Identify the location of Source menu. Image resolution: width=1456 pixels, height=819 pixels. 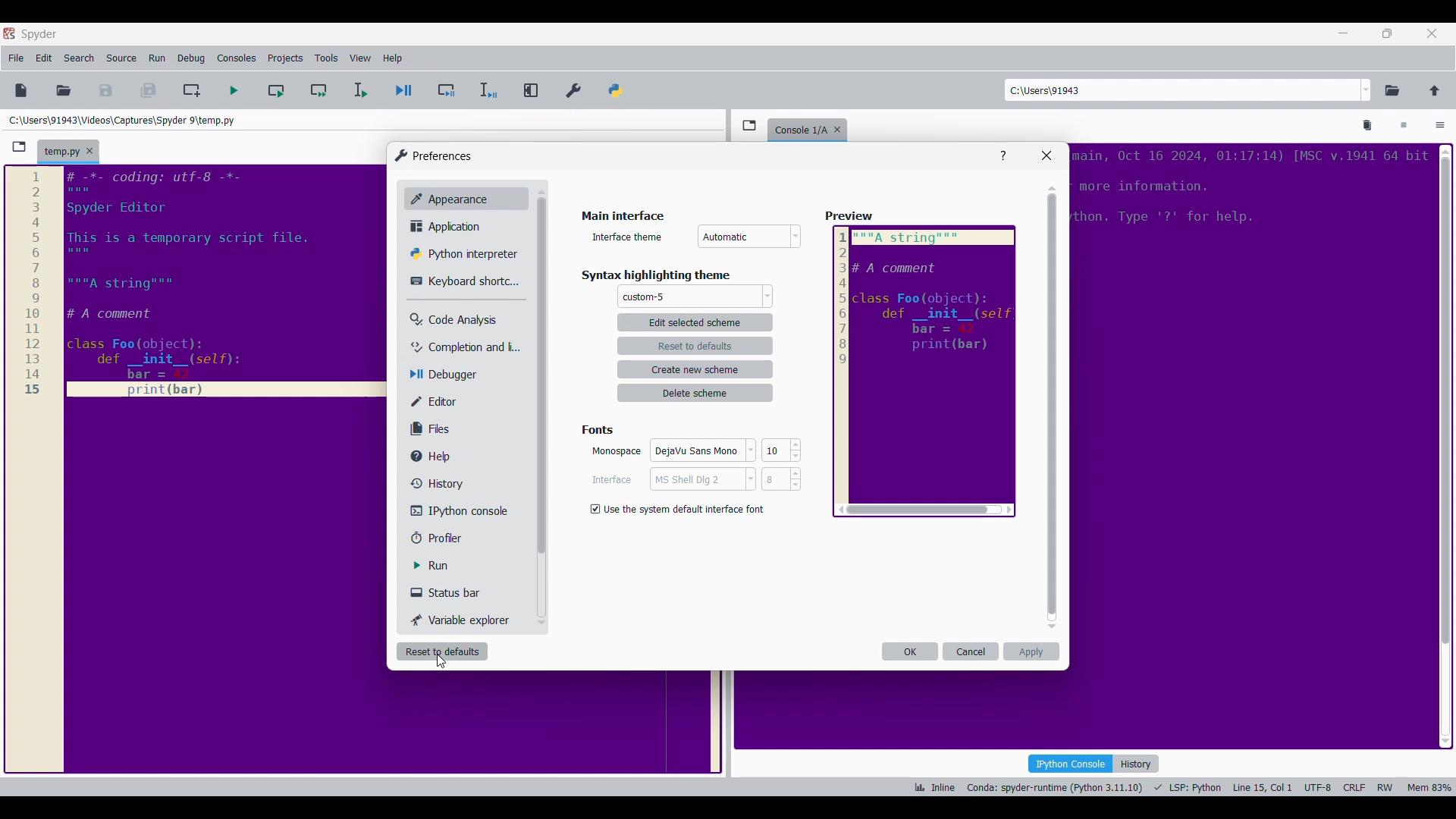
(121, 58).